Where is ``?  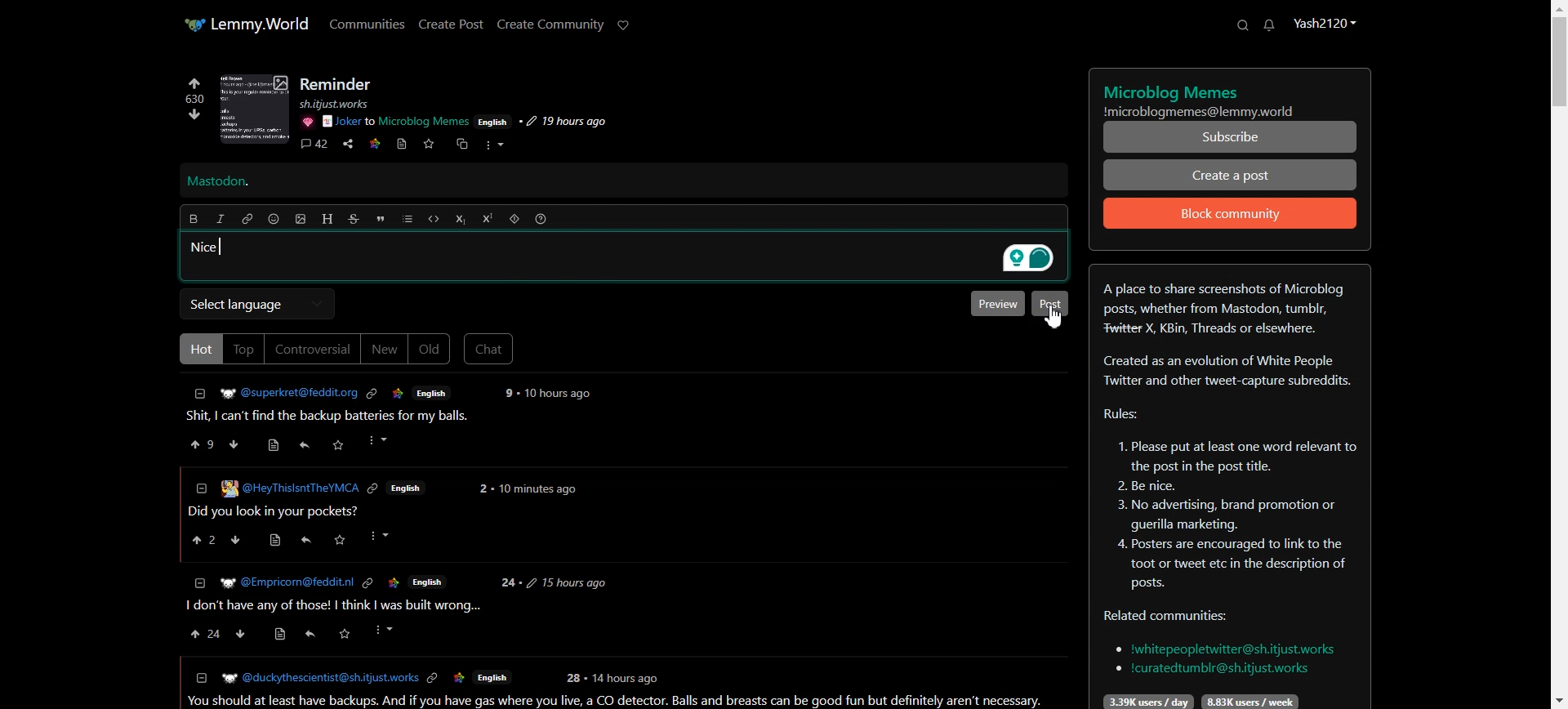  is located at coordinates (393, 582).